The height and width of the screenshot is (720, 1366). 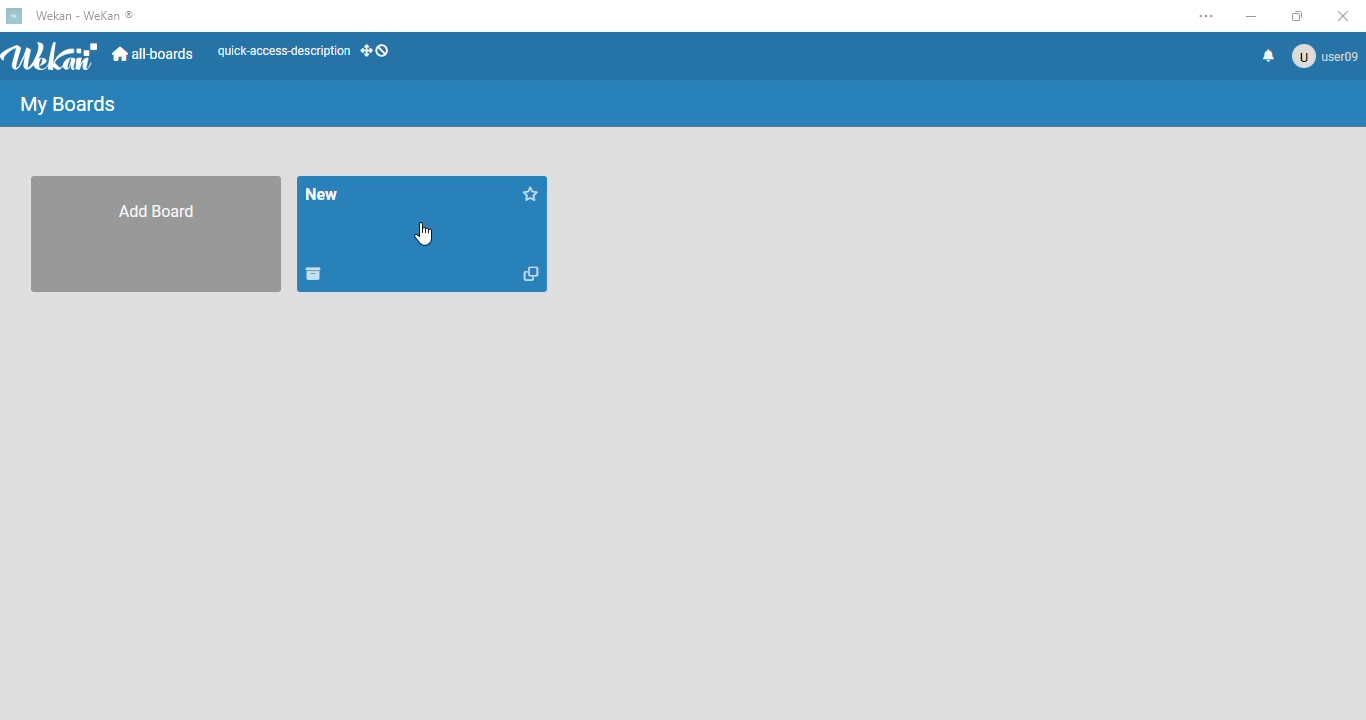 I want to click on User09, so click(x=1324, y=56).